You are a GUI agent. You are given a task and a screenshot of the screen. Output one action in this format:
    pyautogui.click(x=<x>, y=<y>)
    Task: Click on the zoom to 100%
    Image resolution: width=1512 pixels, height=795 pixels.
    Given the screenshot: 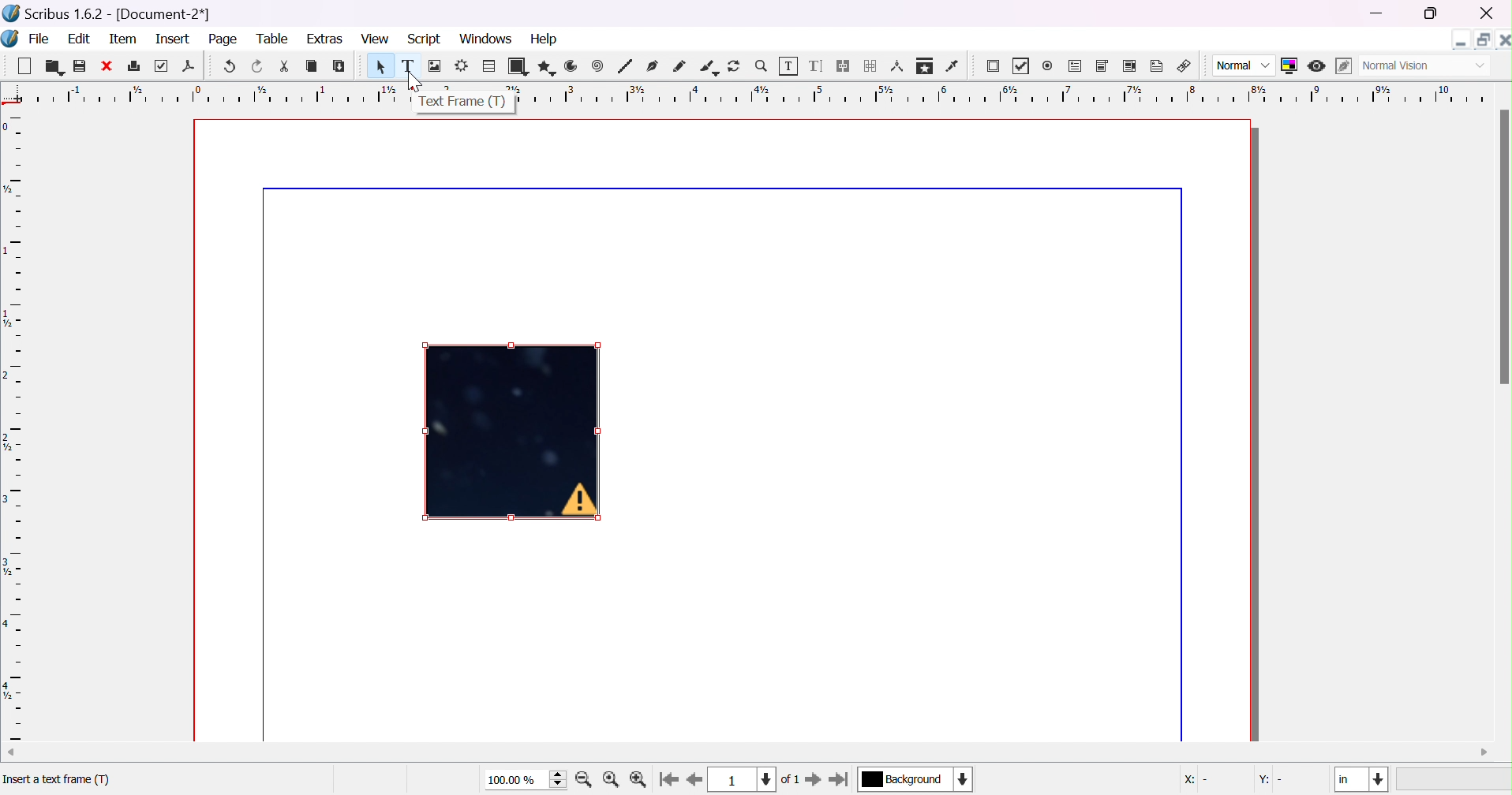 What is the action you would take?
    pyautogui.click(x=612, y=780)
    